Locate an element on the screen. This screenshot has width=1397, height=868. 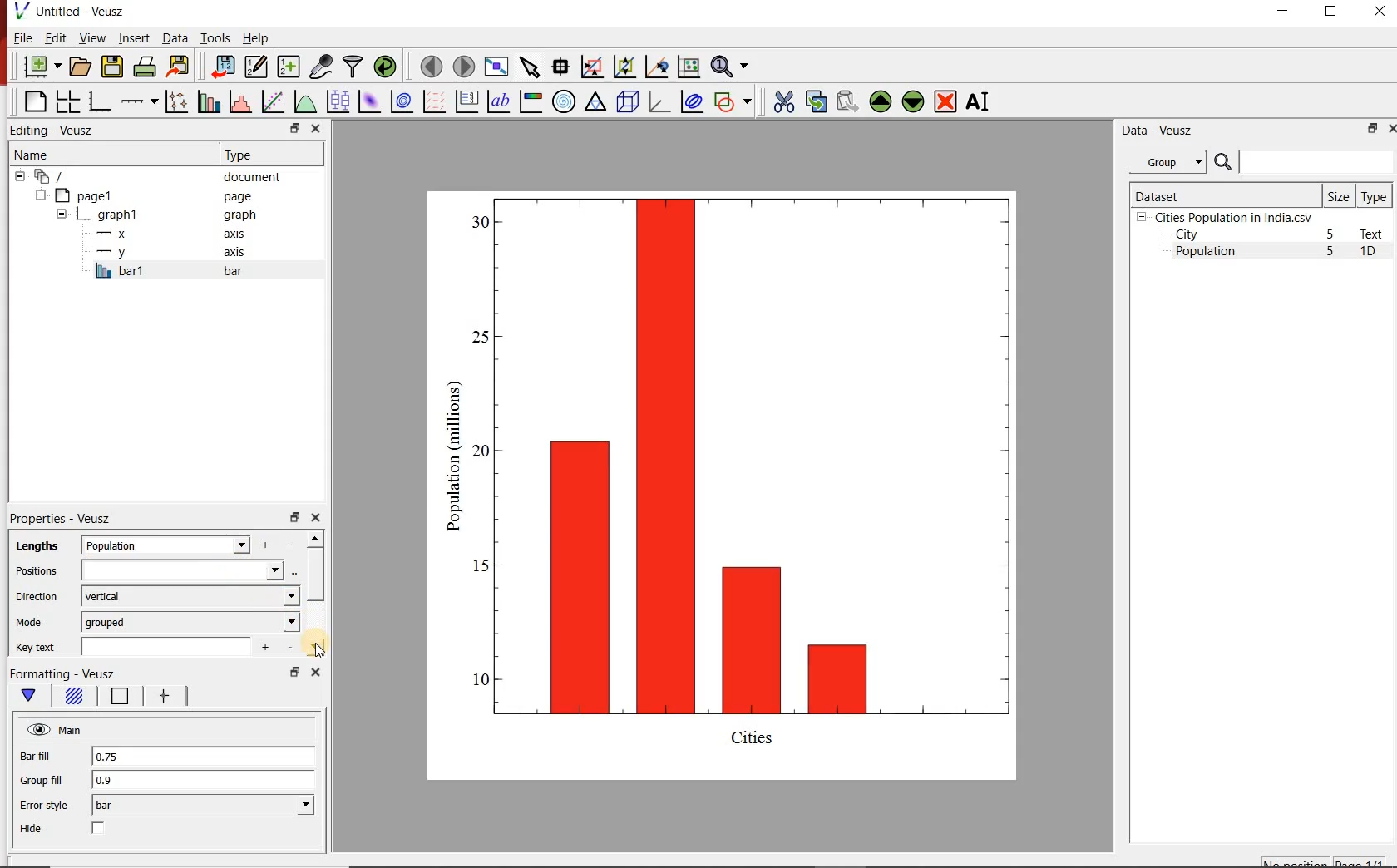
close is located at coordinates (315, 518).